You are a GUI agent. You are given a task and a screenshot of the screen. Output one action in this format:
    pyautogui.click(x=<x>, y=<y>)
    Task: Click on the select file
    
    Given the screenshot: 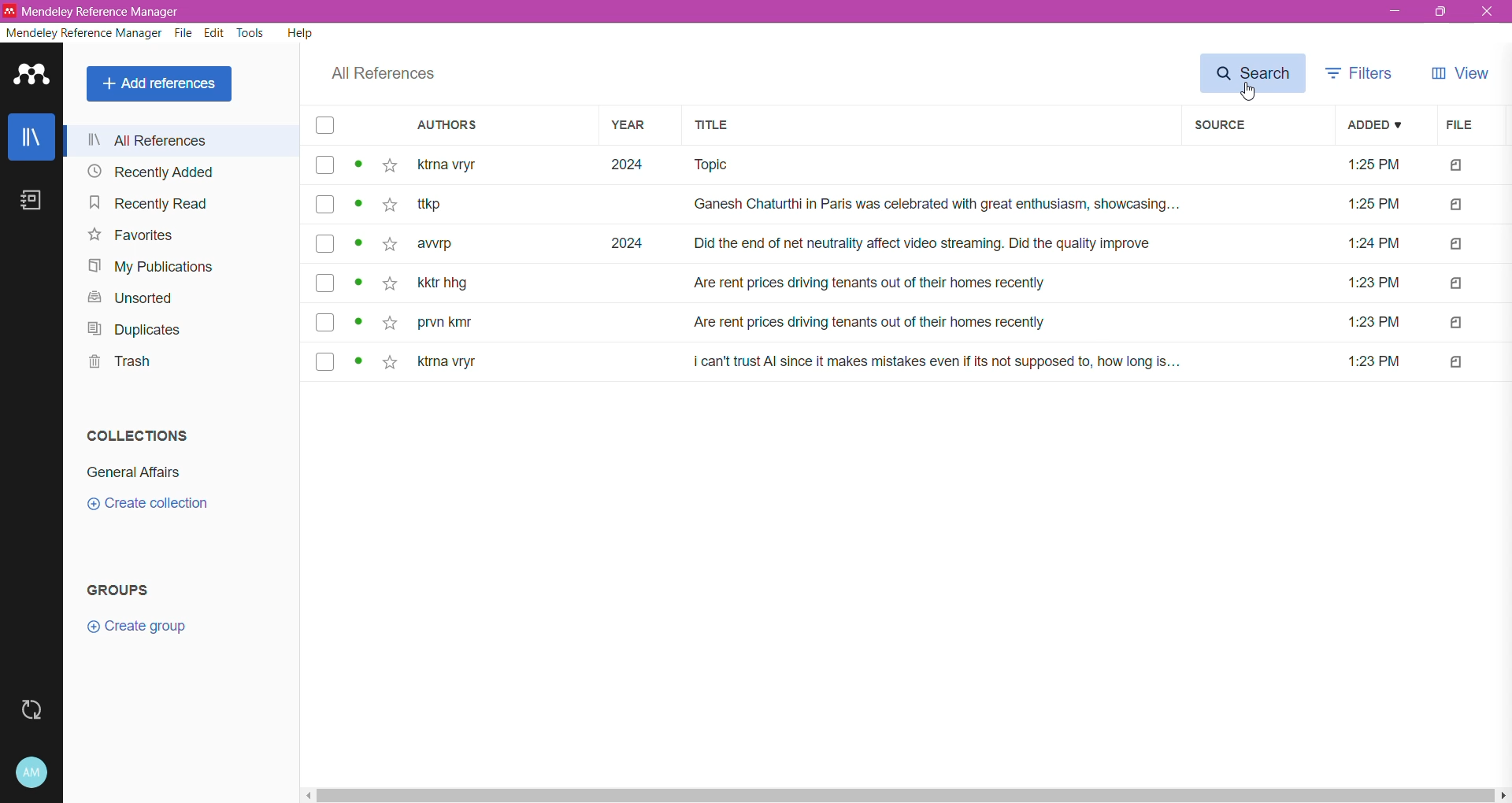 What is the action you would take?
    pyautogui.click(x=322, y=321)
    